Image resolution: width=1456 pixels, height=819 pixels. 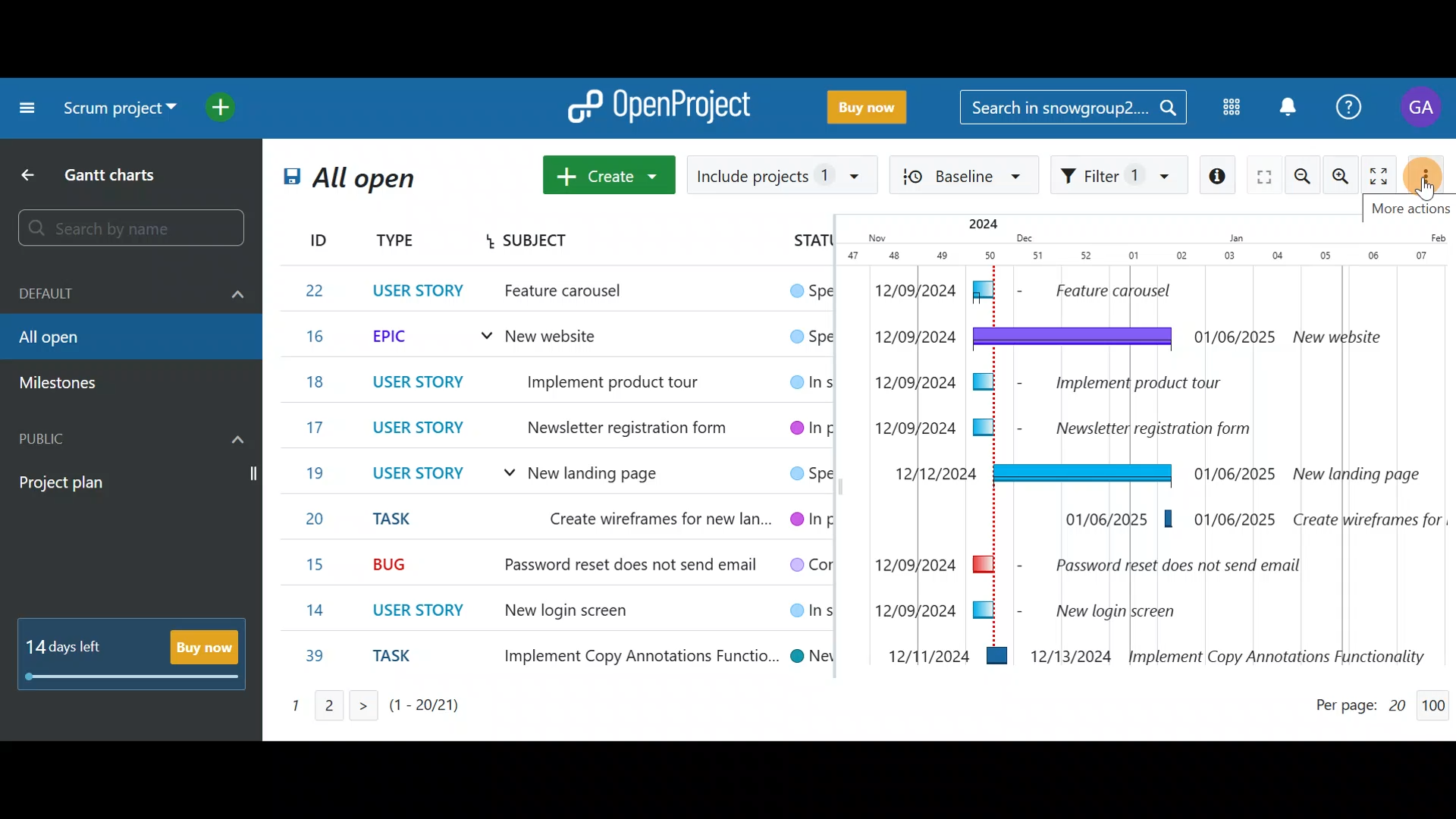 What do you see at coordinates (287, 186) in the screenshot?
I see `This view has unsaved changes, click to save them` at bounding box center [287, 186].